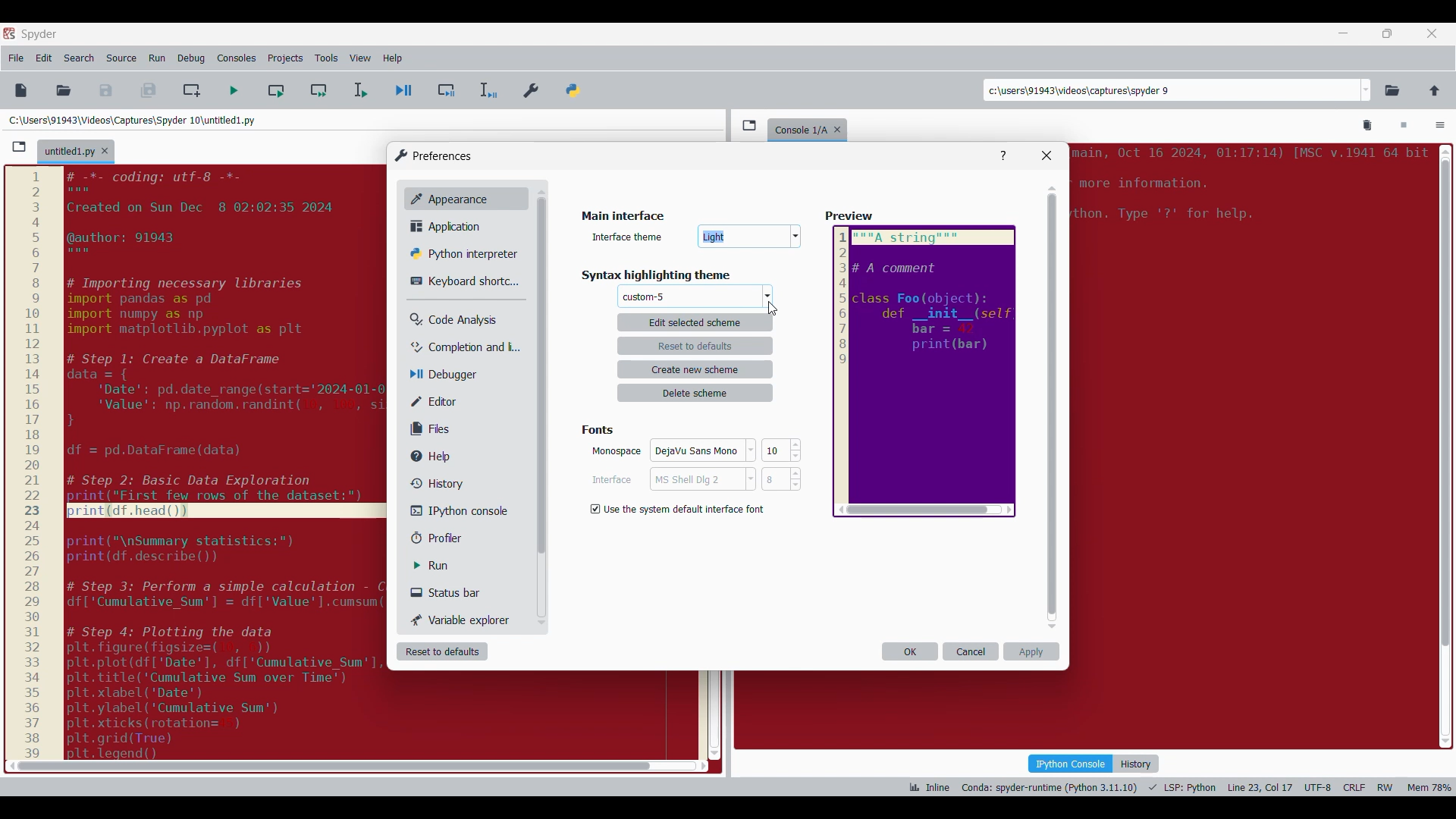  I want to click on Current tab, so click(69, 152).